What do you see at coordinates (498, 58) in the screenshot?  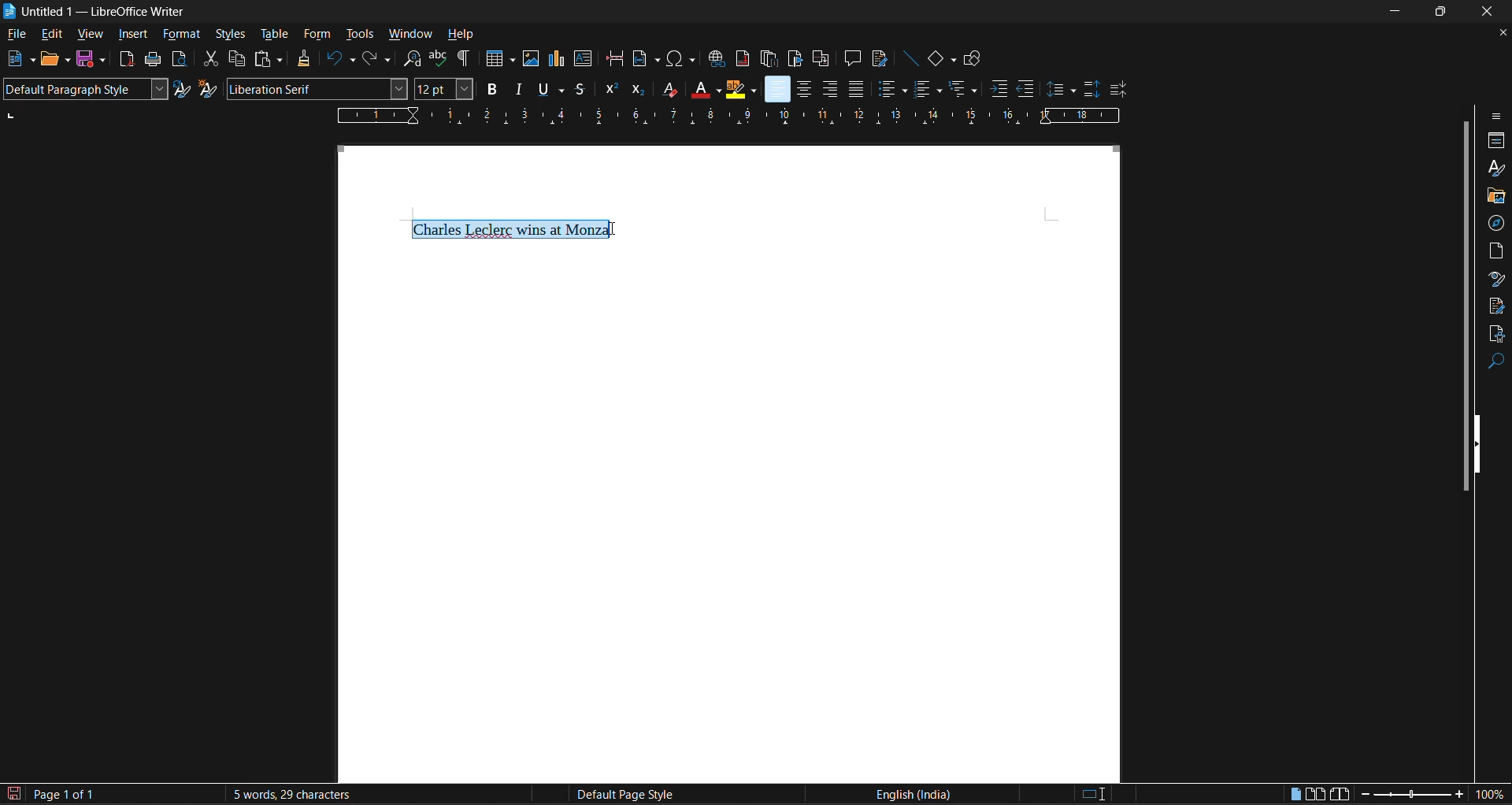 I see `insert table` at bounding box center [498, 58].